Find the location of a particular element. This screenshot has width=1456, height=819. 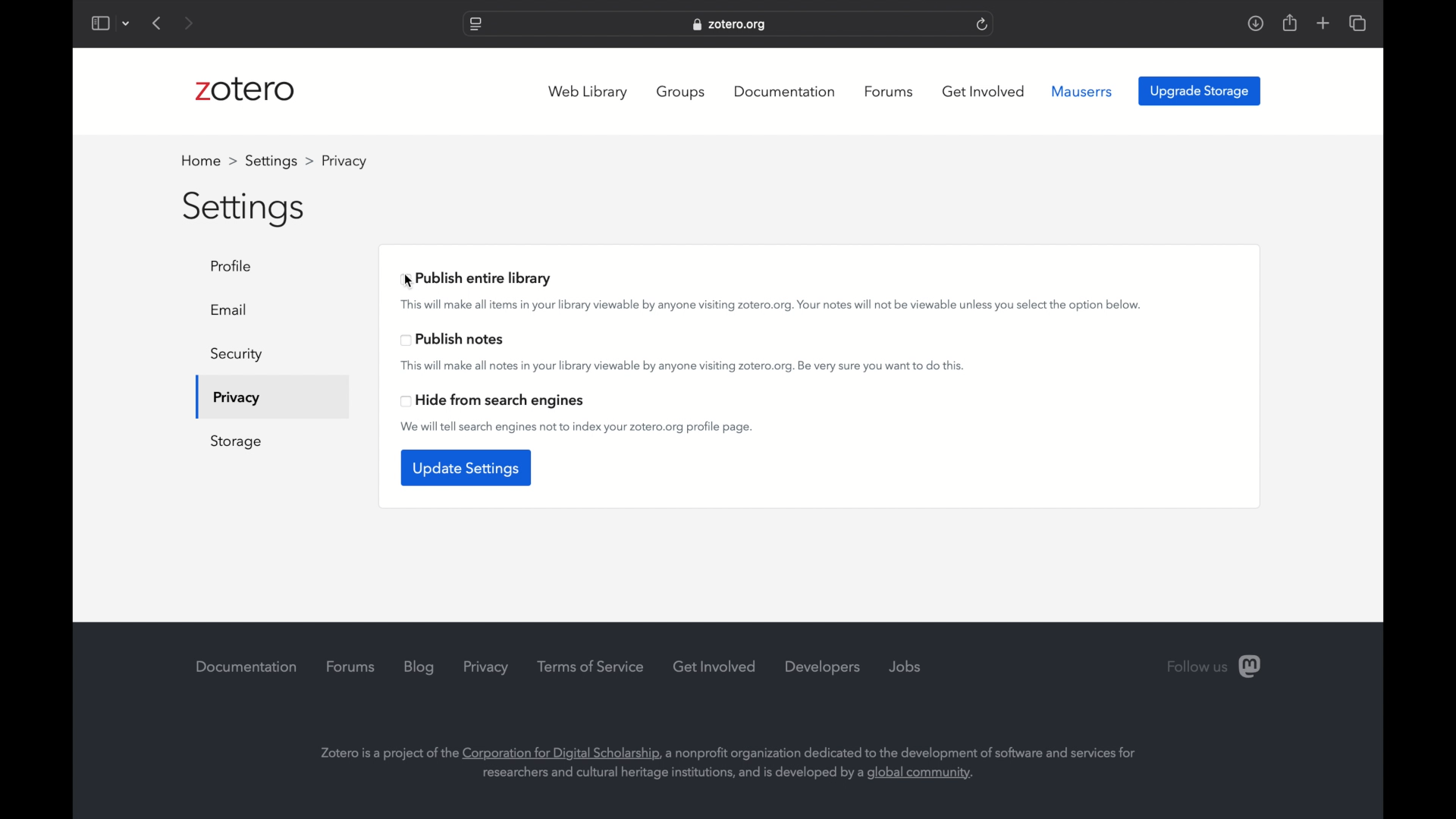

previous is located at coordinates (158, 23).